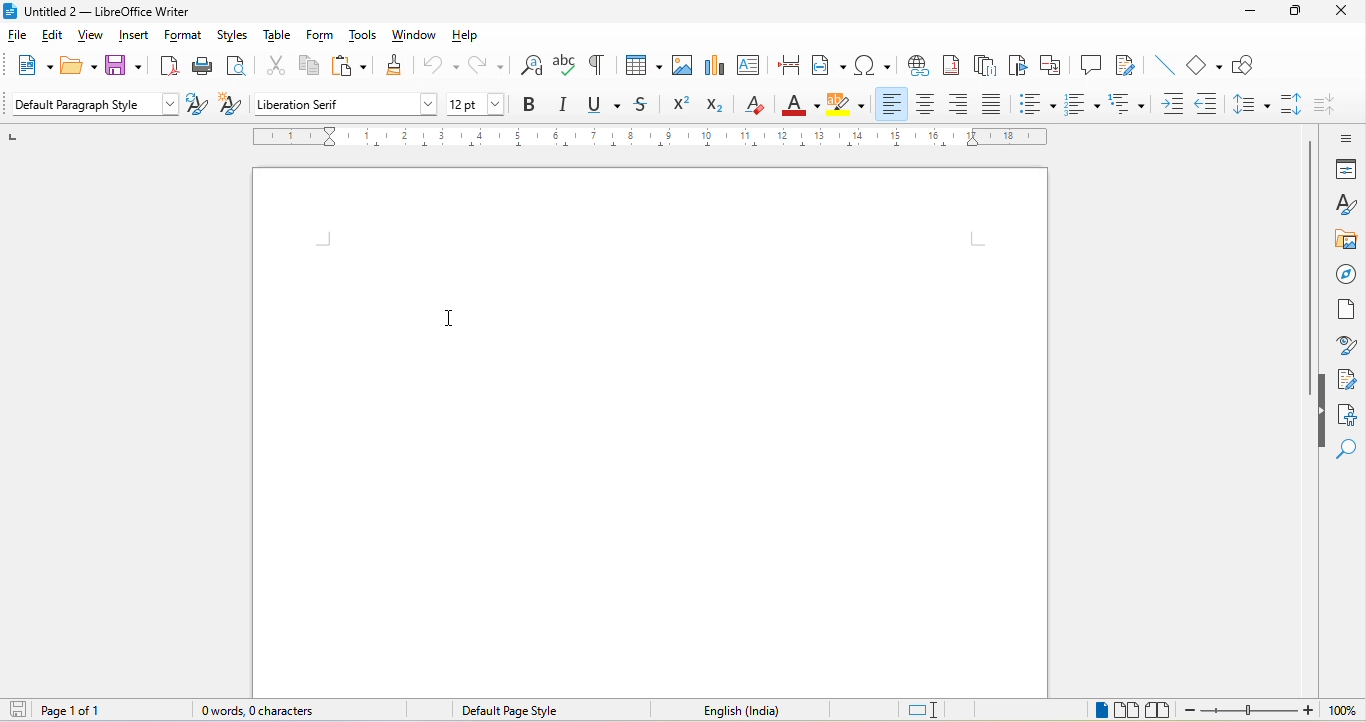 This screenshot has height=722, width=1366. What do you see at coordinates (847, 107) in the screenshot?
I see `character highlighting` at bounding box center [847, 107].